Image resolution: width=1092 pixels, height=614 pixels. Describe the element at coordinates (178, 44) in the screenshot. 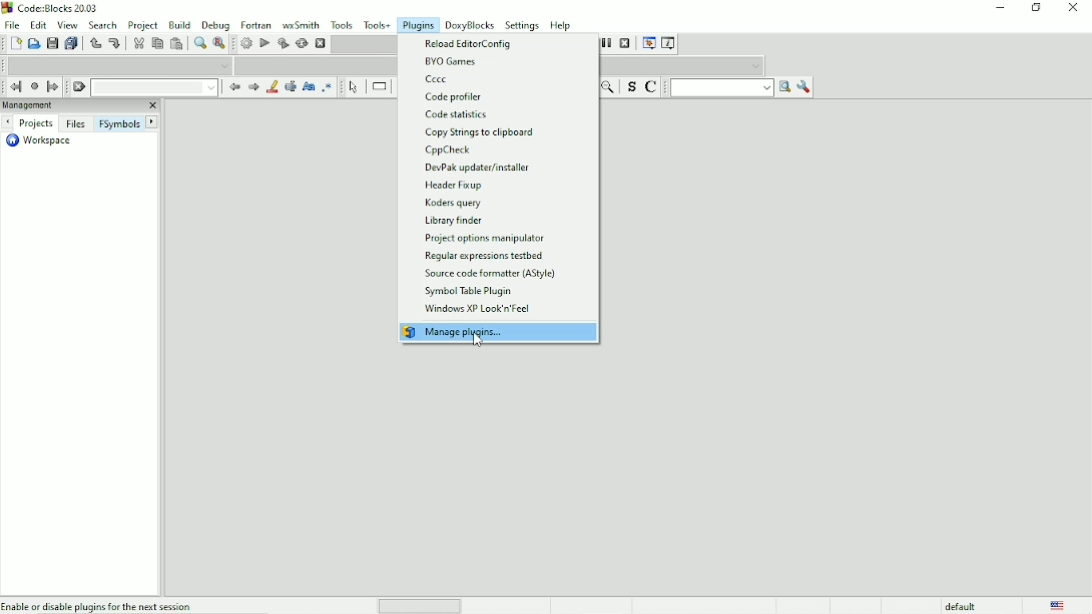

I see `Paste` at that location.